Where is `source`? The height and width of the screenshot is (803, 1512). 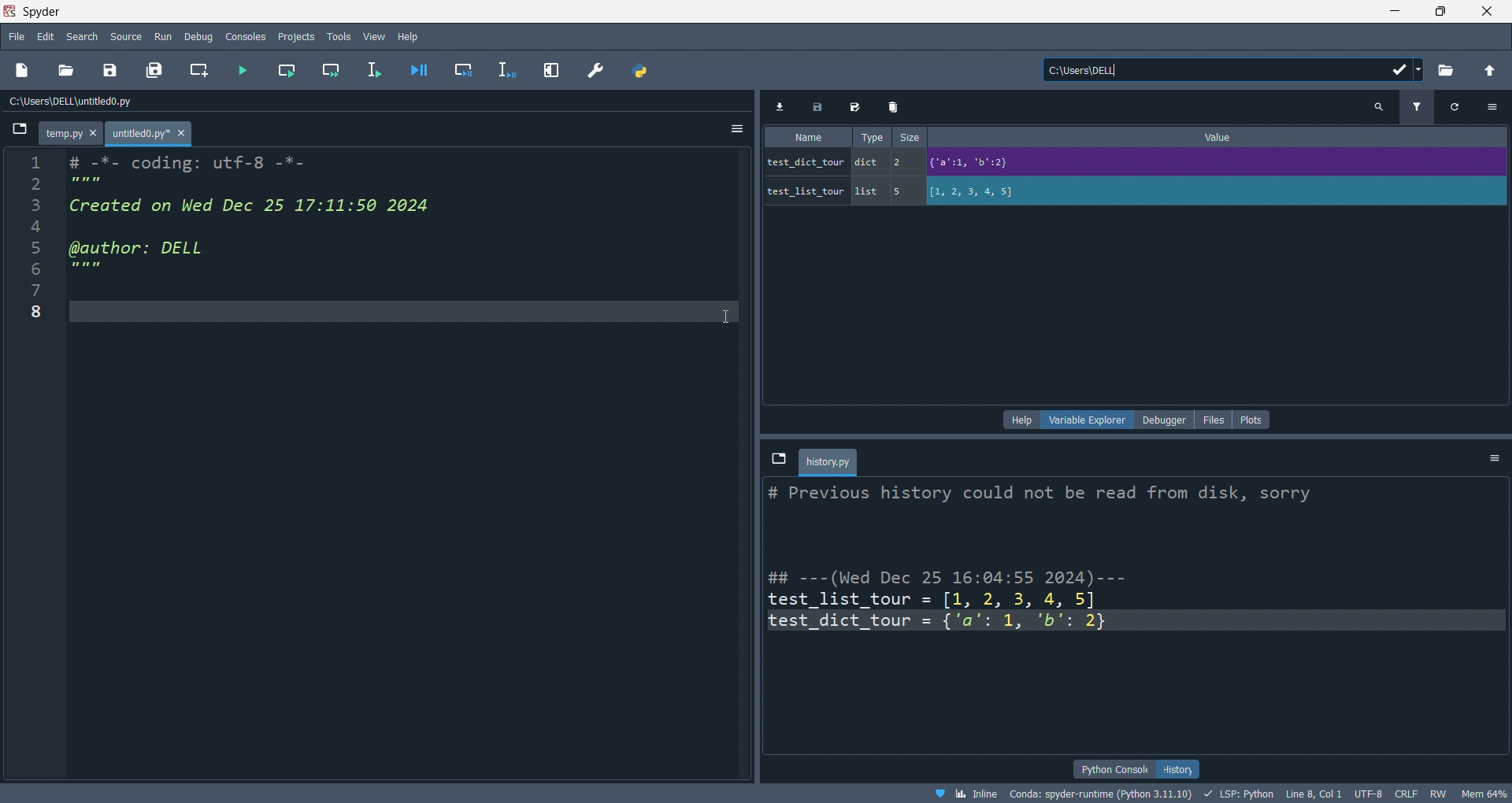
source is located at coordinates (125, 35).